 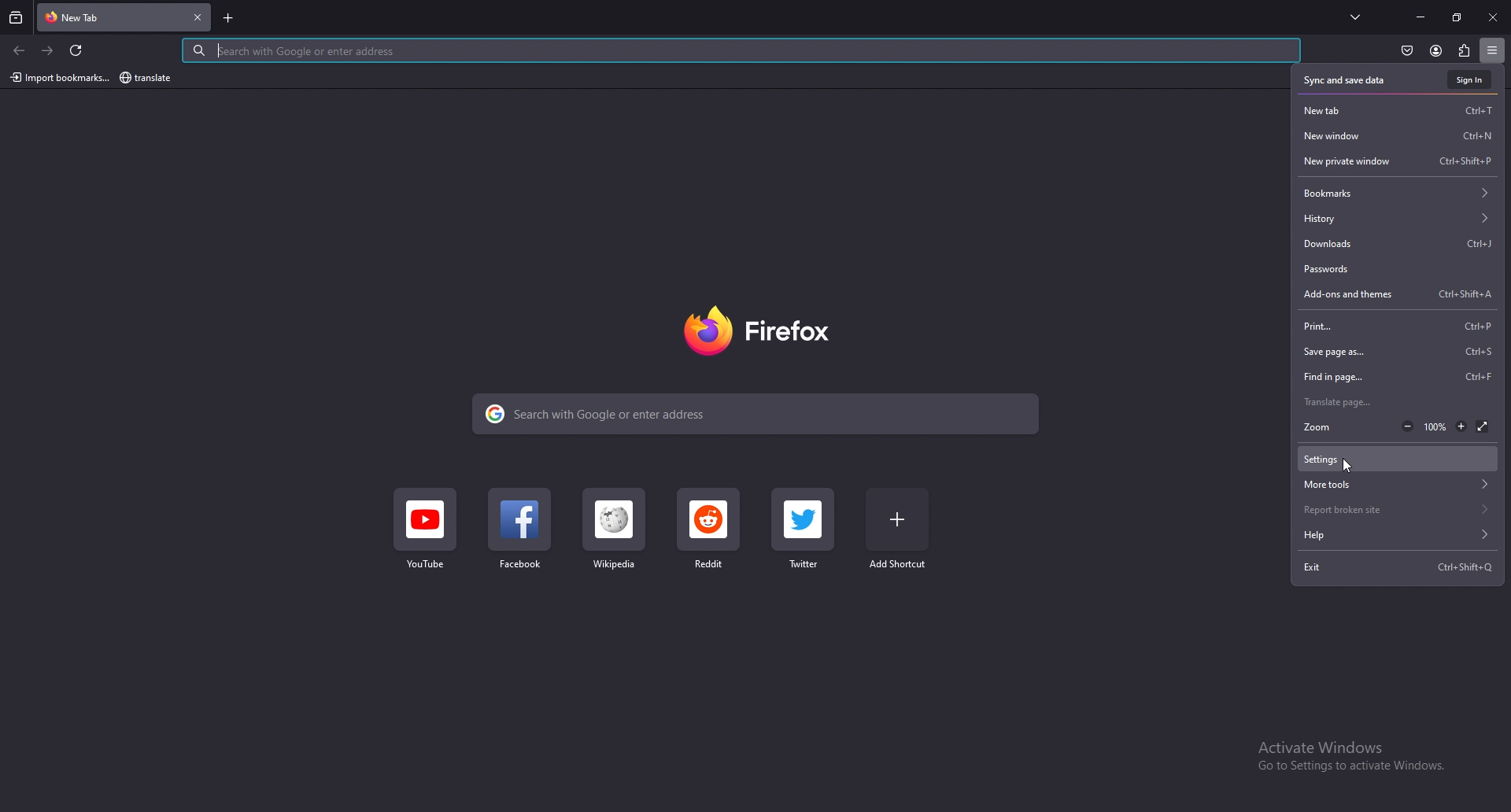 What do you see at coordinates (1399, 509) in the screenshot?
I see `report broken site` at bounding box center [1399, 509].